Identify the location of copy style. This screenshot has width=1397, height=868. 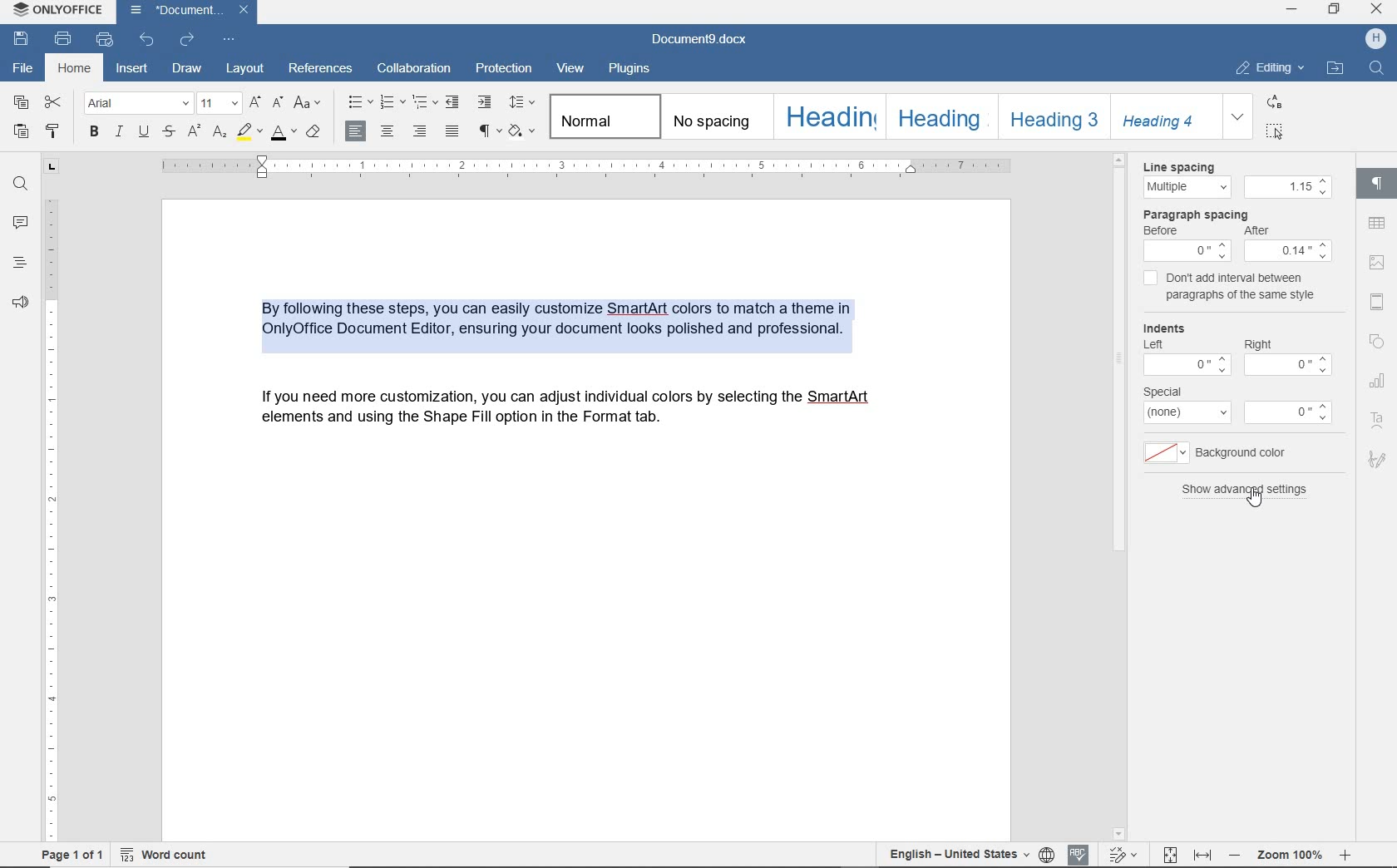
(52, 131).